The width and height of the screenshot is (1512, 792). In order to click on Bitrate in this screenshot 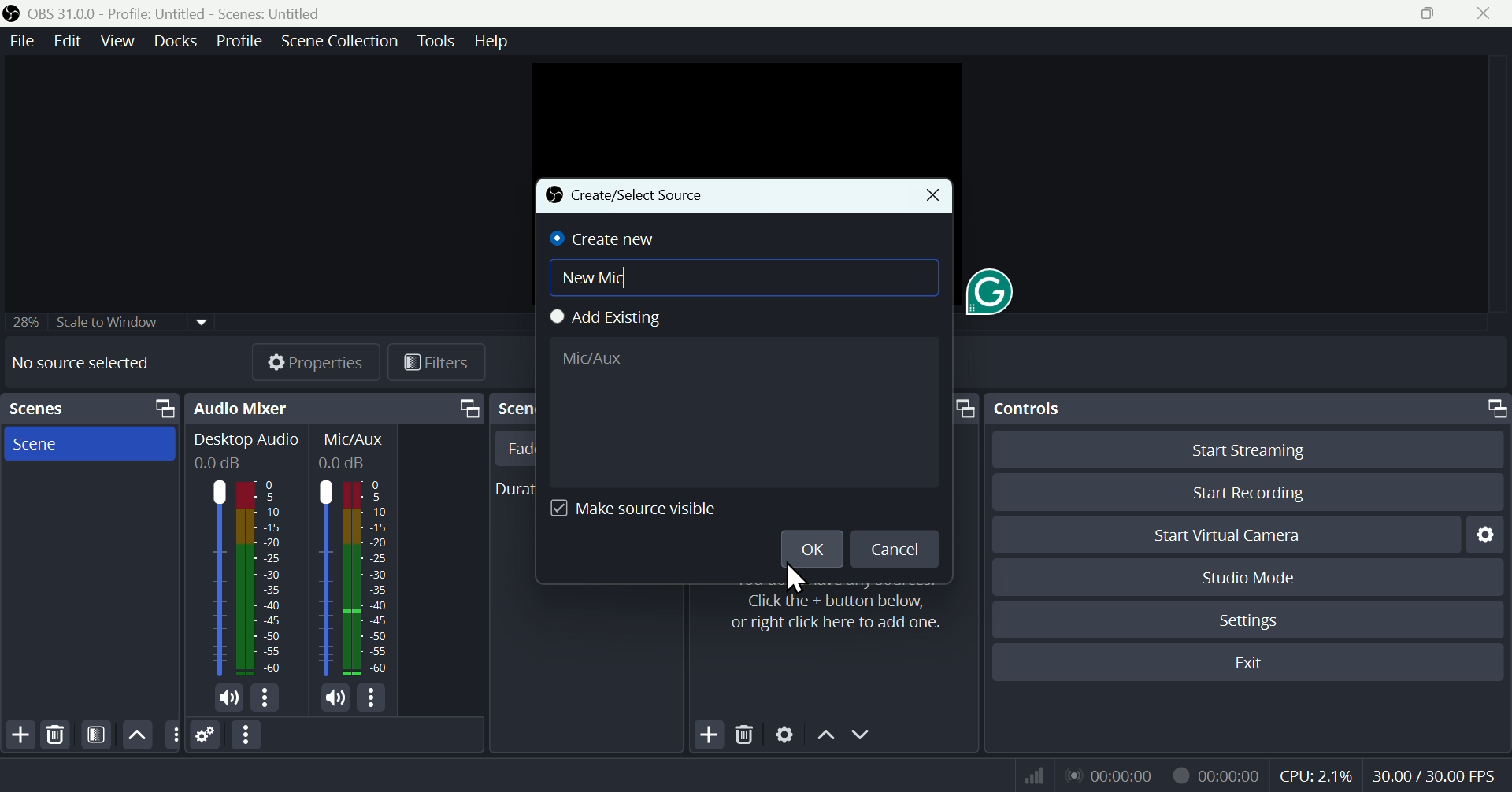, I will do `click(1032, 774)`.